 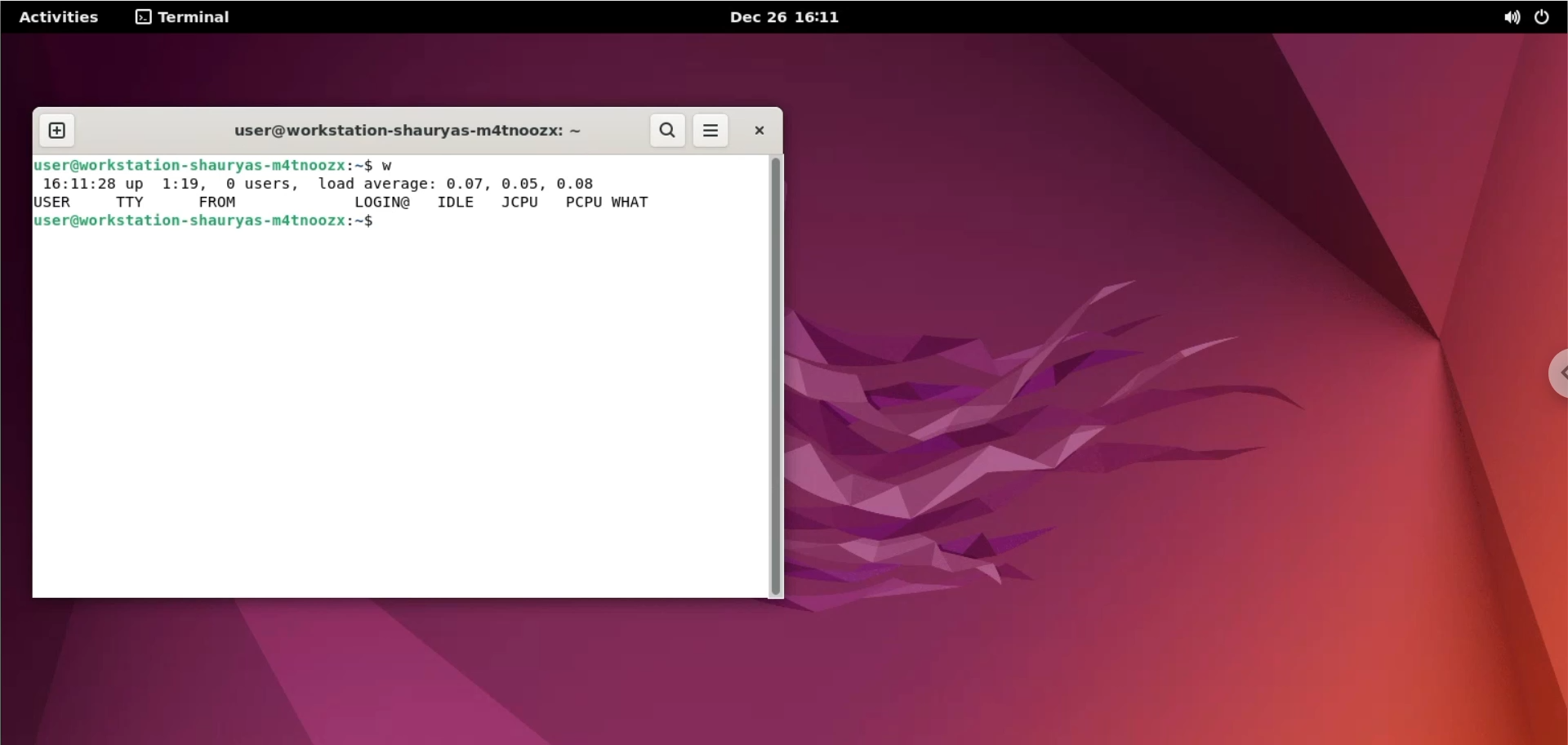 What do you see at coordinates (210, 221) in the screenshot?
I see `shell prompt: user@workstation-shauryas-m4tnoozx:~$` at bounding box center [210, 221].